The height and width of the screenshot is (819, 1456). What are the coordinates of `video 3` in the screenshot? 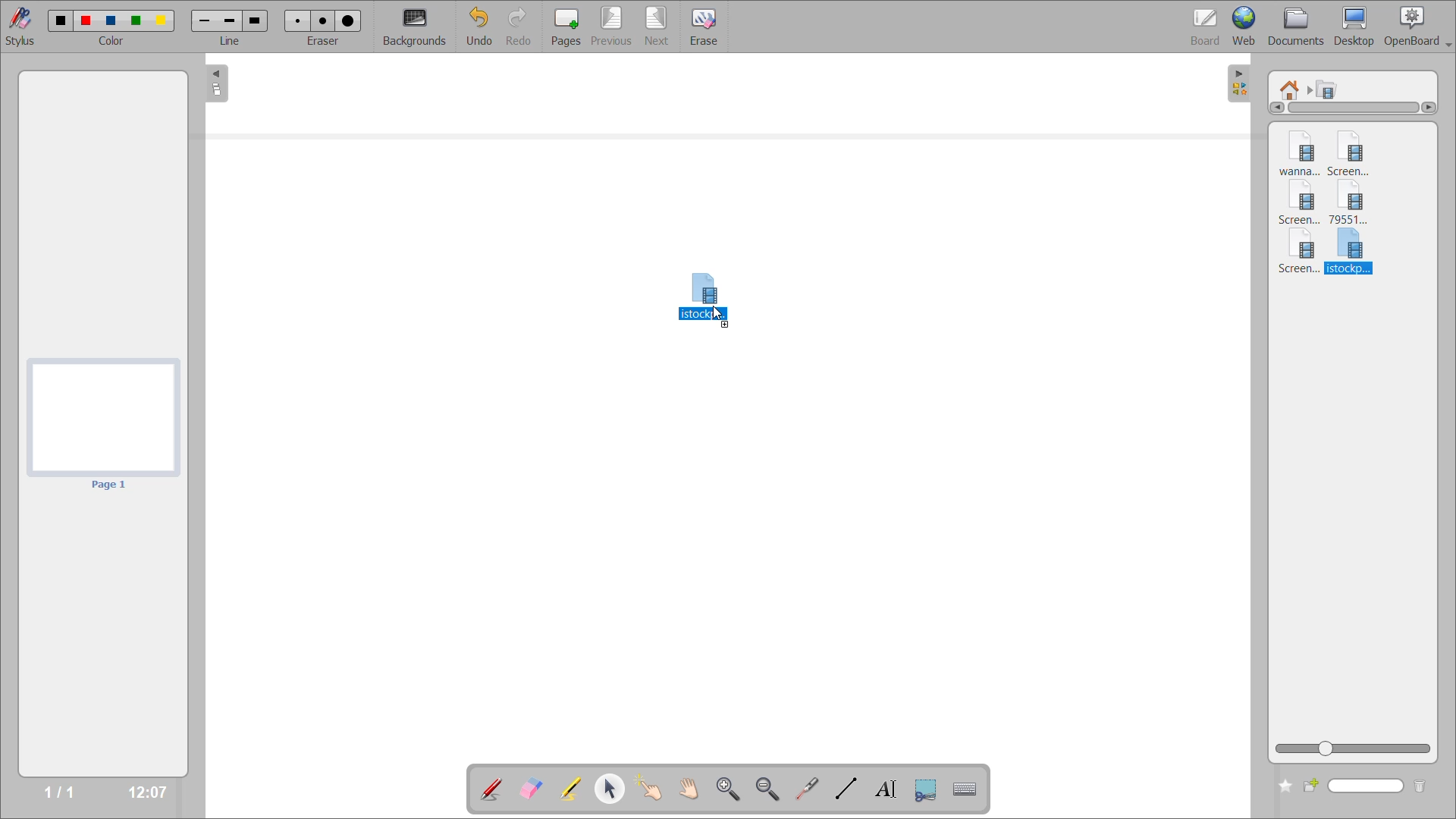 It's located at (1301, 204).